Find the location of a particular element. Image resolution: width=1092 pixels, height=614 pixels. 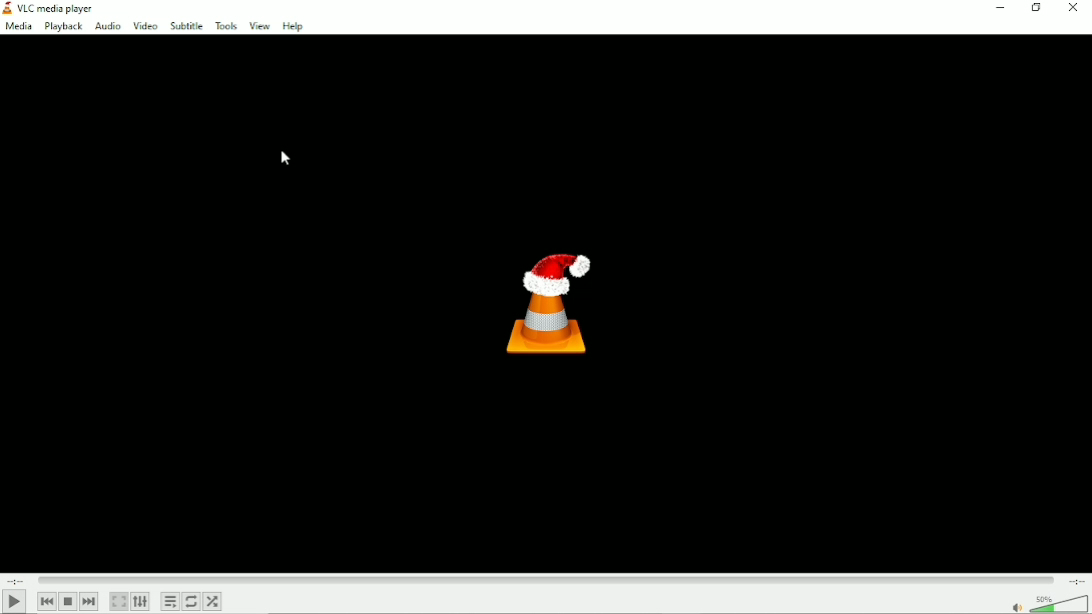

Toggle playlist is located at coordinates (170, 602).